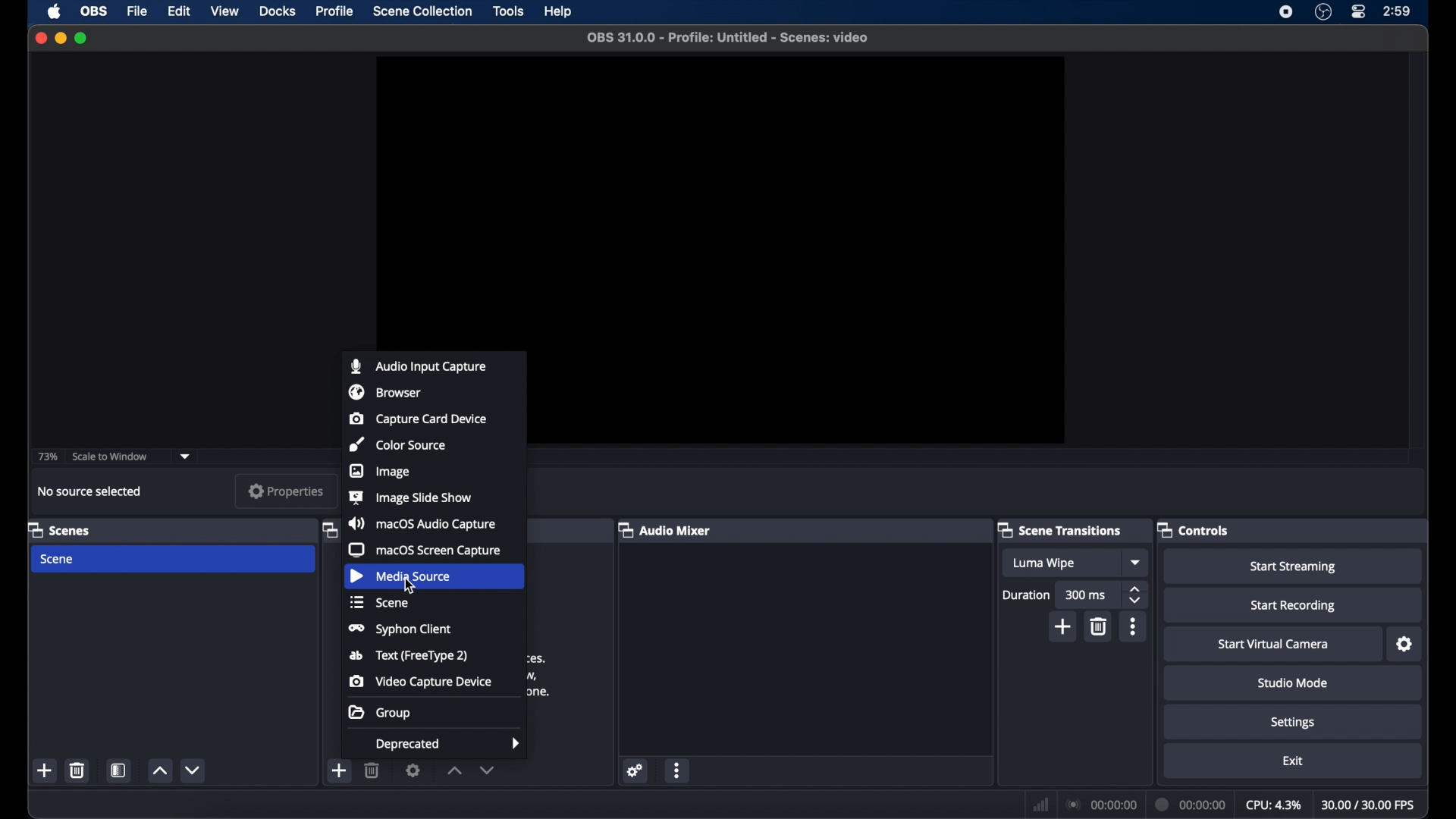 Image resolution: width=1456 pixels, height=819 pixels. What do you see at coordinates (58, 560) in the screenshot?
I see `scene` at bounding box center [58, 560].